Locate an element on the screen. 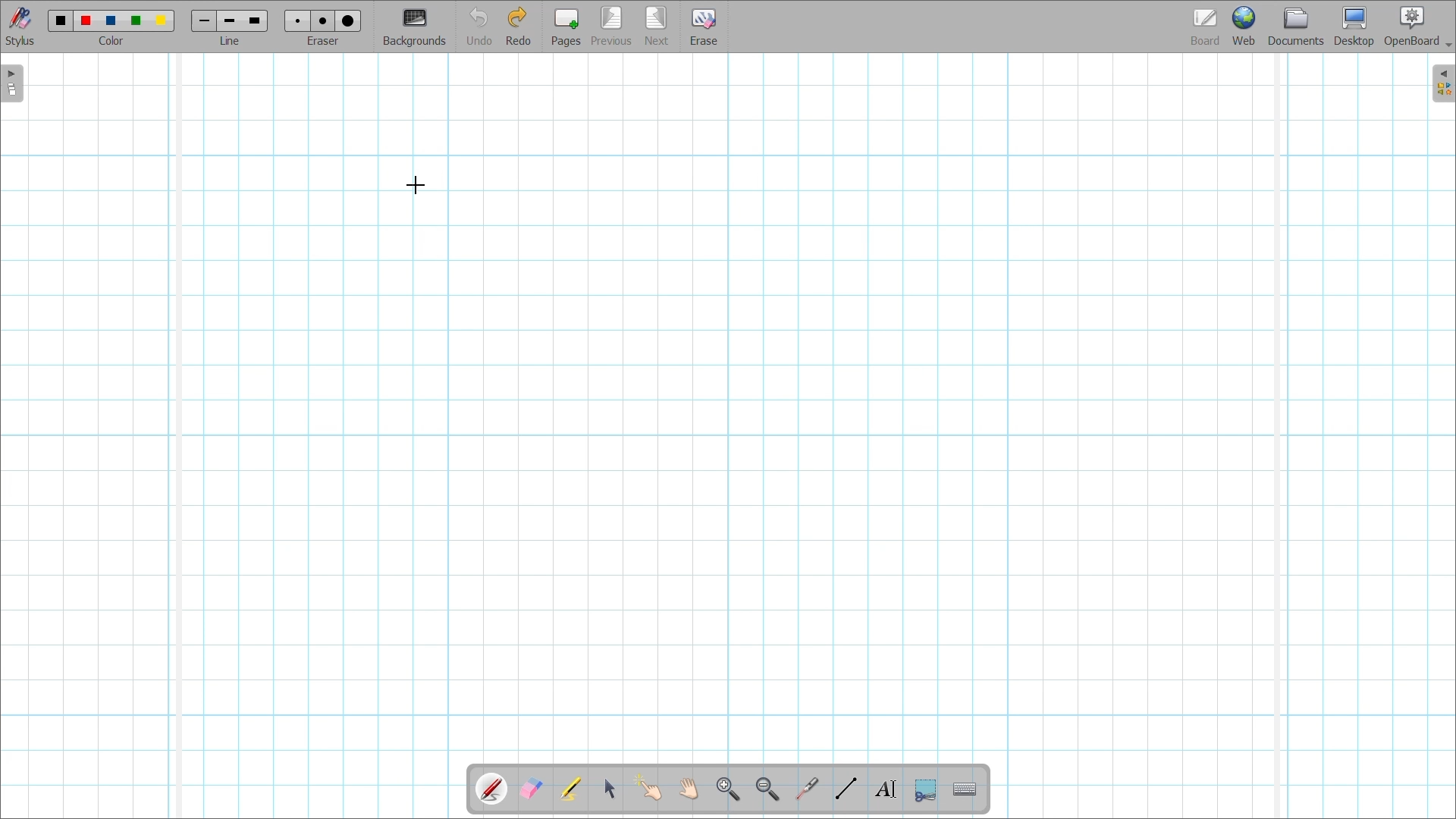 This screenshot has height=819, width=1456. Show documents is located at coordinates (1296, 26).